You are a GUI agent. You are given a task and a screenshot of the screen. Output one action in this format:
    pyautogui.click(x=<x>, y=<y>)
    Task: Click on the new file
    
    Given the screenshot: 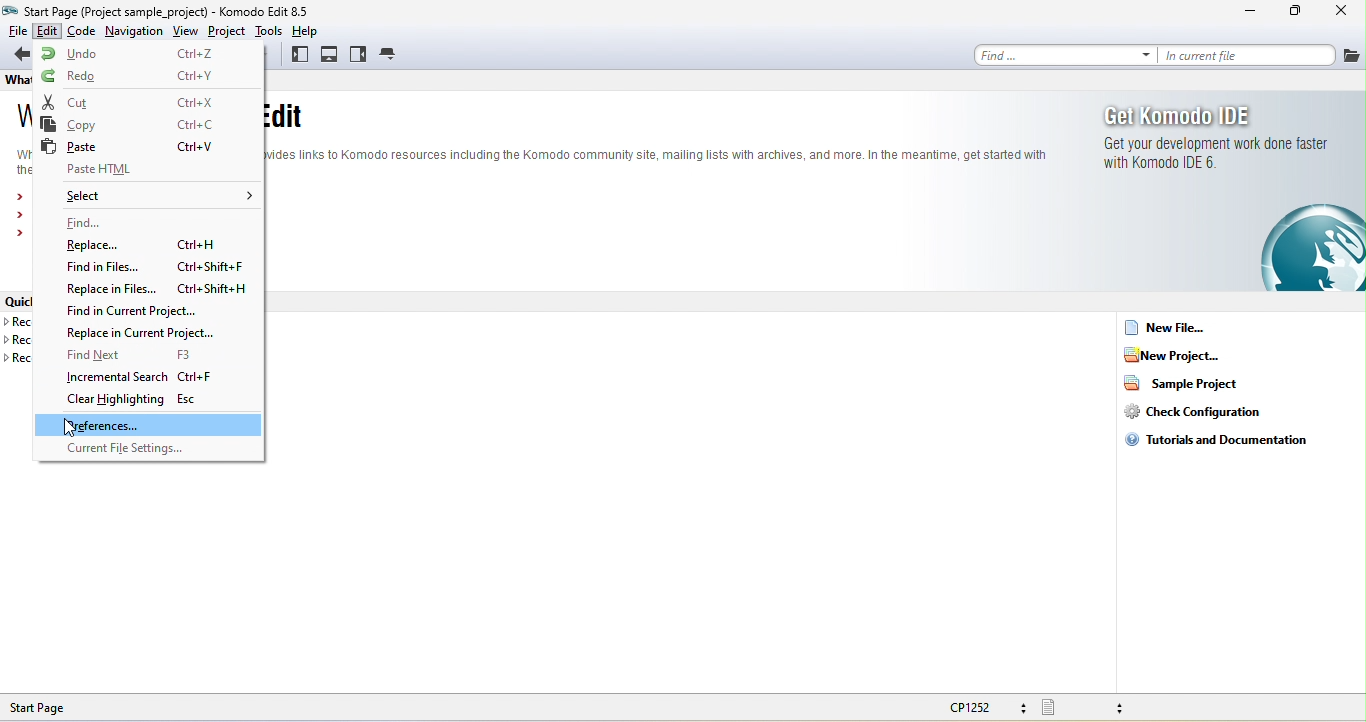 What is the action you would take?
    pyautogui.click(x=1168, y=328)
    